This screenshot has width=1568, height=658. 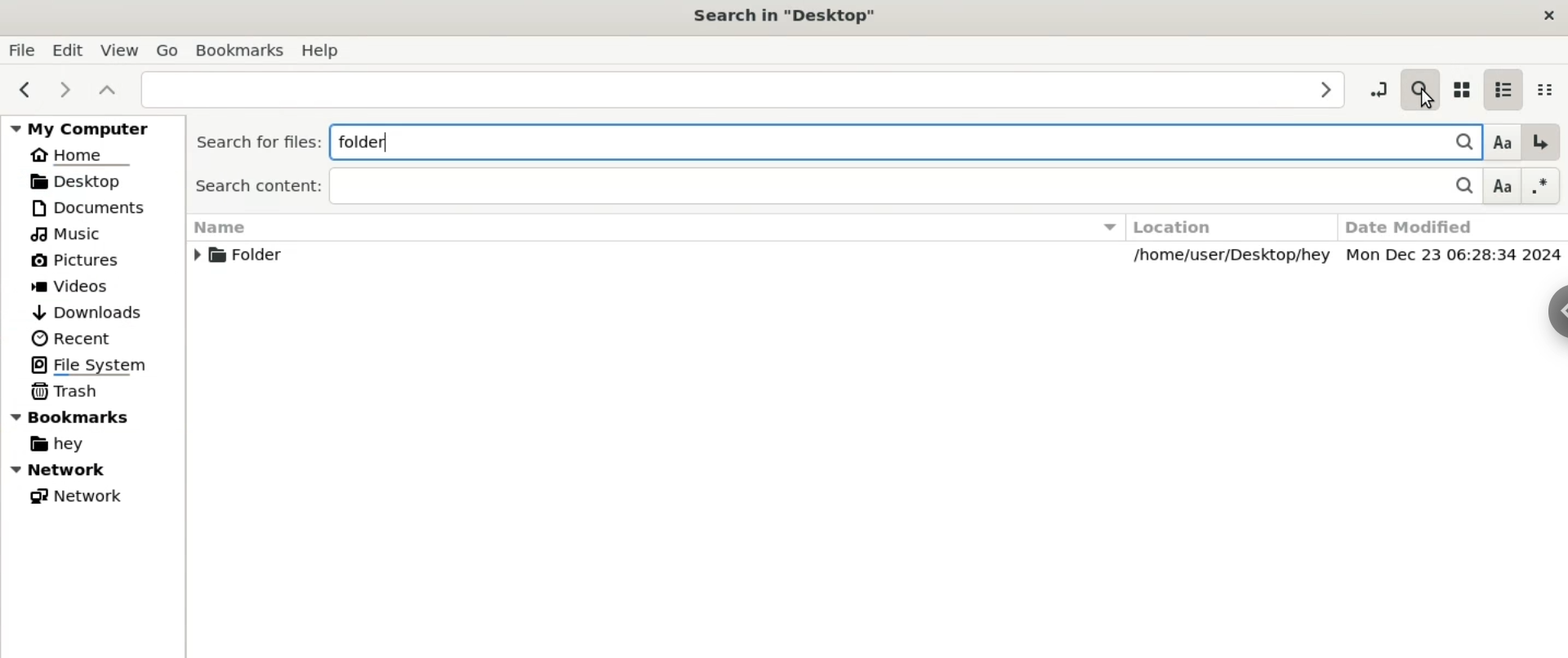 I want to click on Music, so click(x=69, y=233).